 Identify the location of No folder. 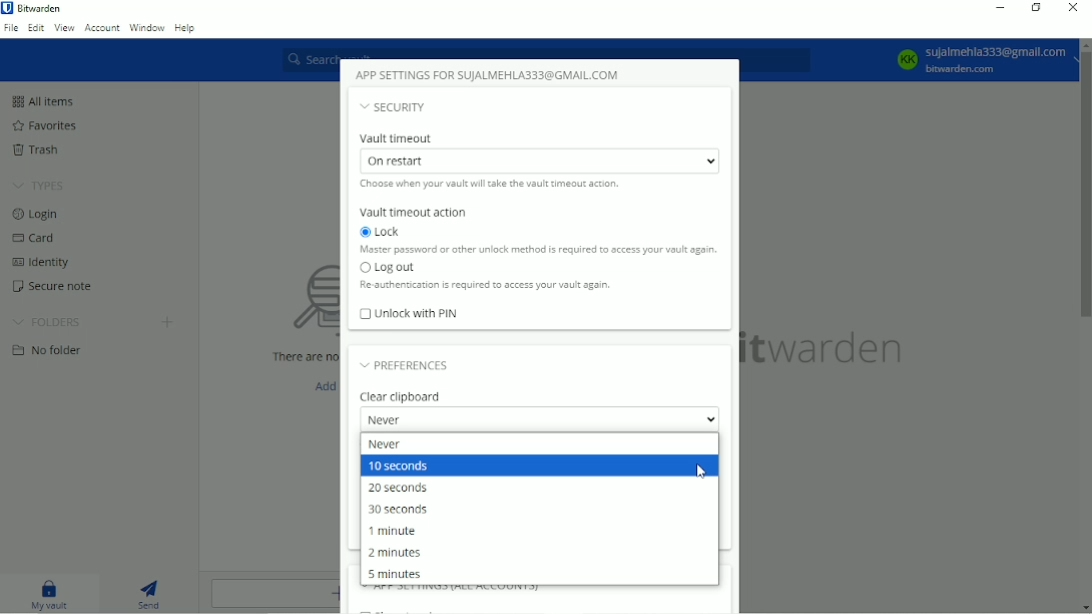
(54, 350).